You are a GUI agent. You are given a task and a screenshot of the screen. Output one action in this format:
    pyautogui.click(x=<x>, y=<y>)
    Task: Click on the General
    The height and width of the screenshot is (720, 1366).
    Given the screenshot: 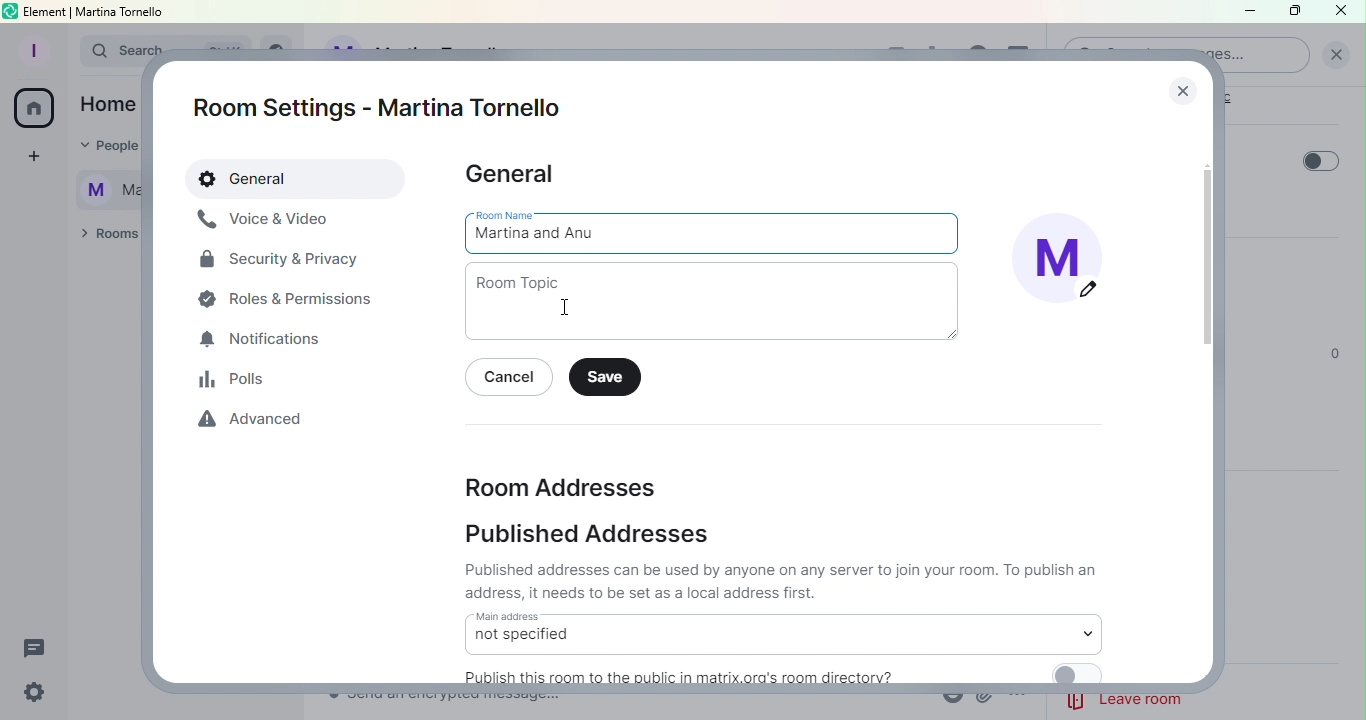 What is the action you would take?
    pyautogui.click(x=298, y=180)
    